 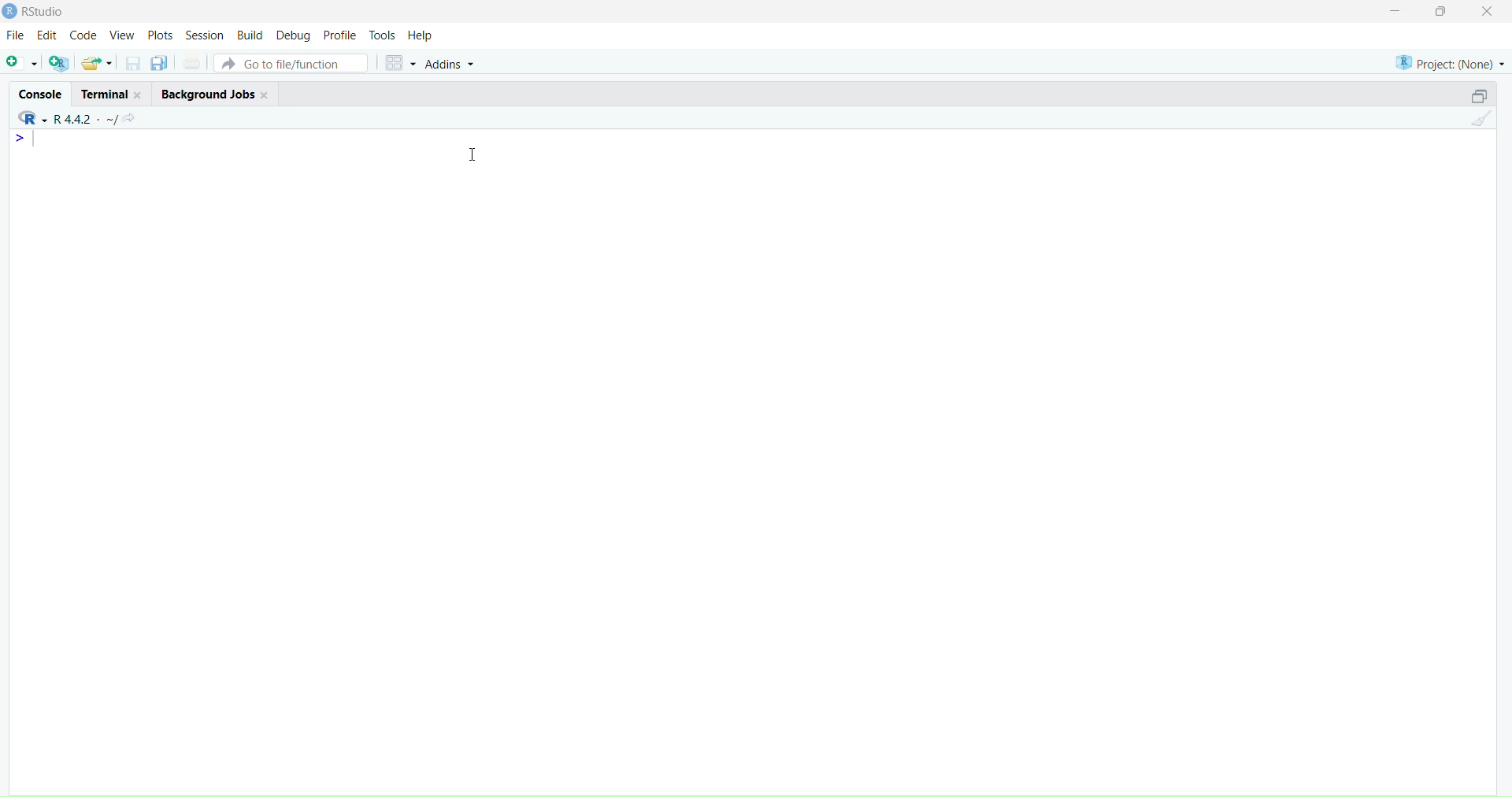 What do you see at coordinates (159, 63) in the screenshot?
I see `copy` at bounding box center [159, 63].